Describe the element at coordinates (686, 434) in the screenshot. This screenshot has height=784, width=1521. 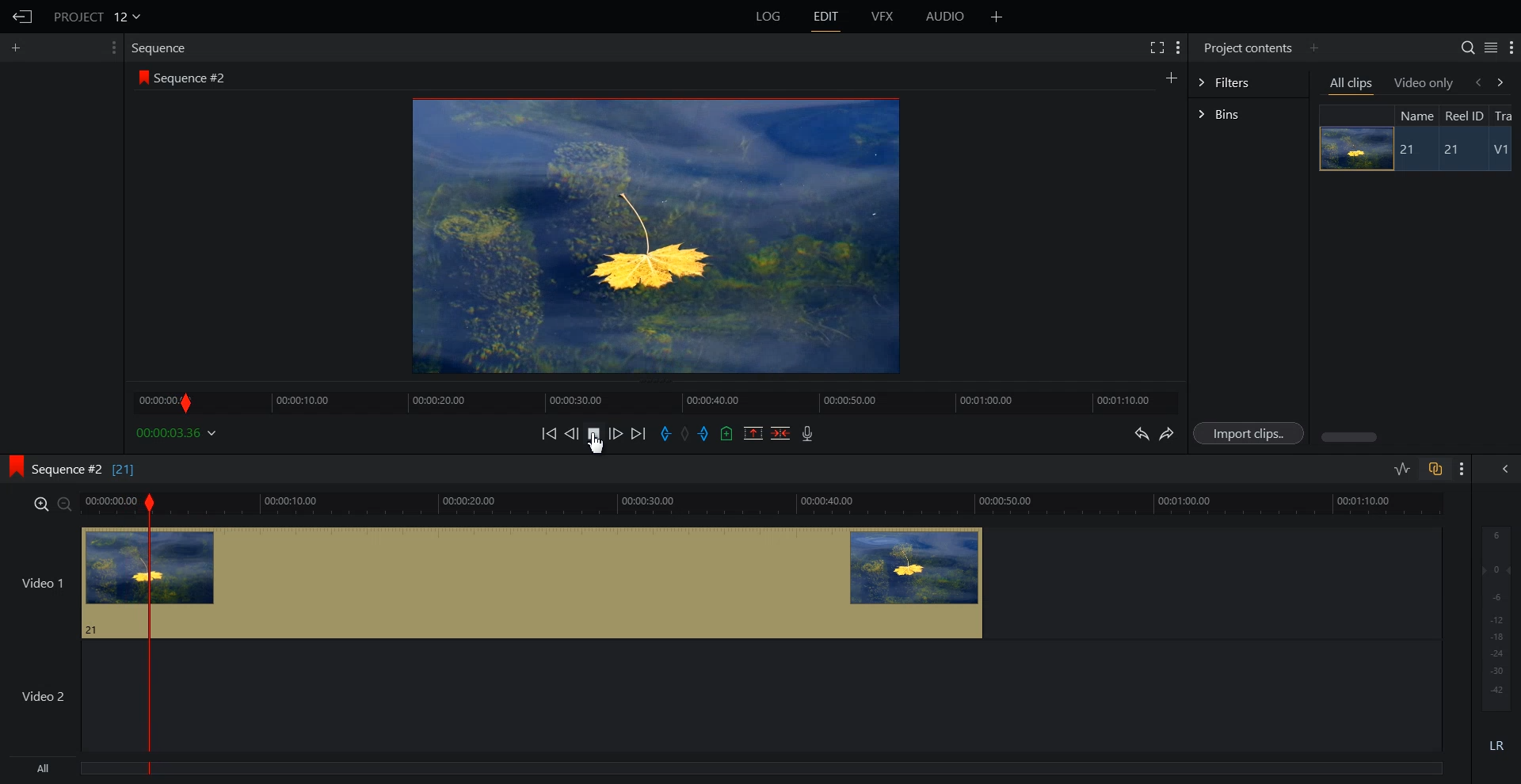
I see `Clear all marks` at that location.